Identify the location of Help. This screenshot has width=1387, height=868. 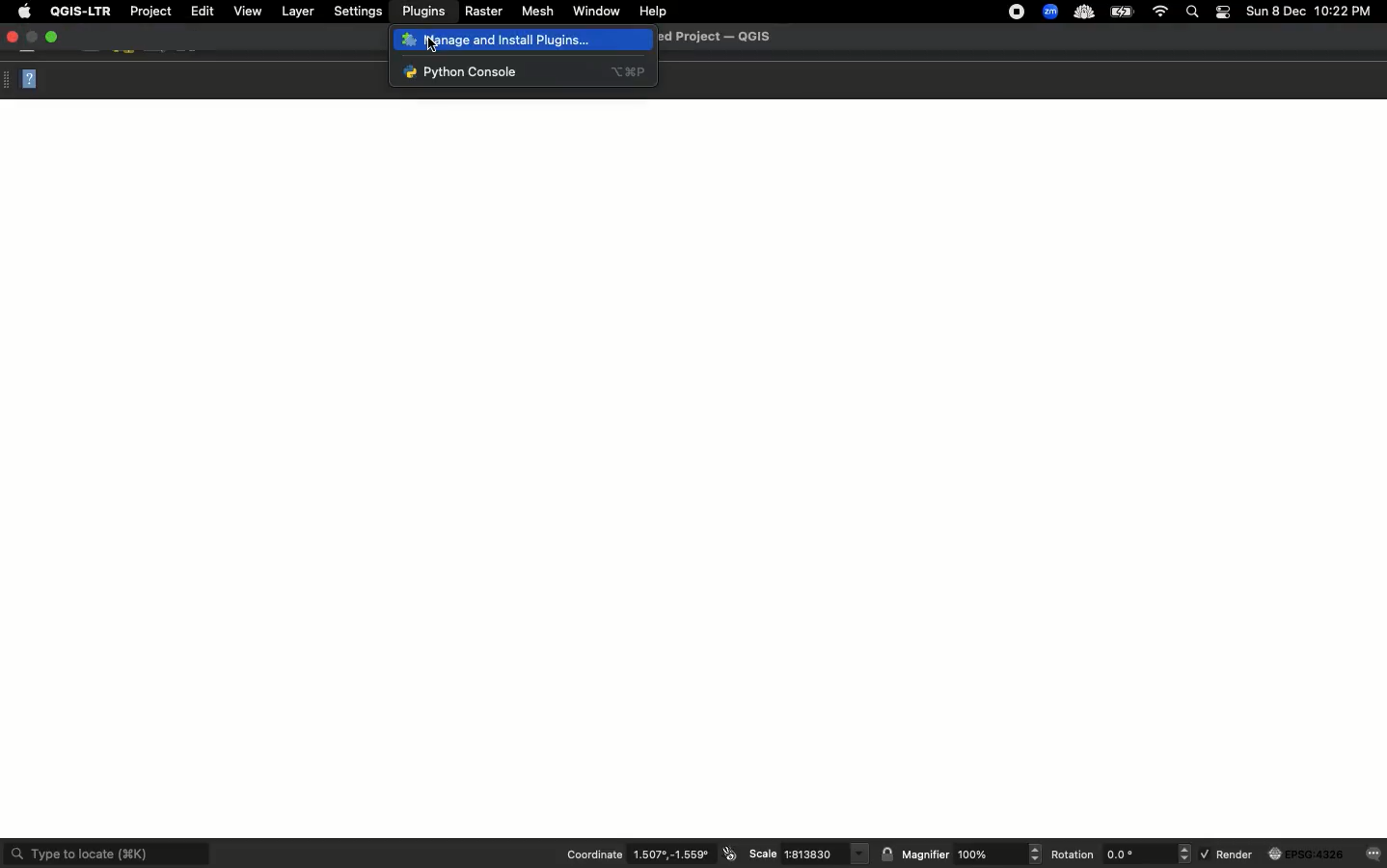
(652, 12).